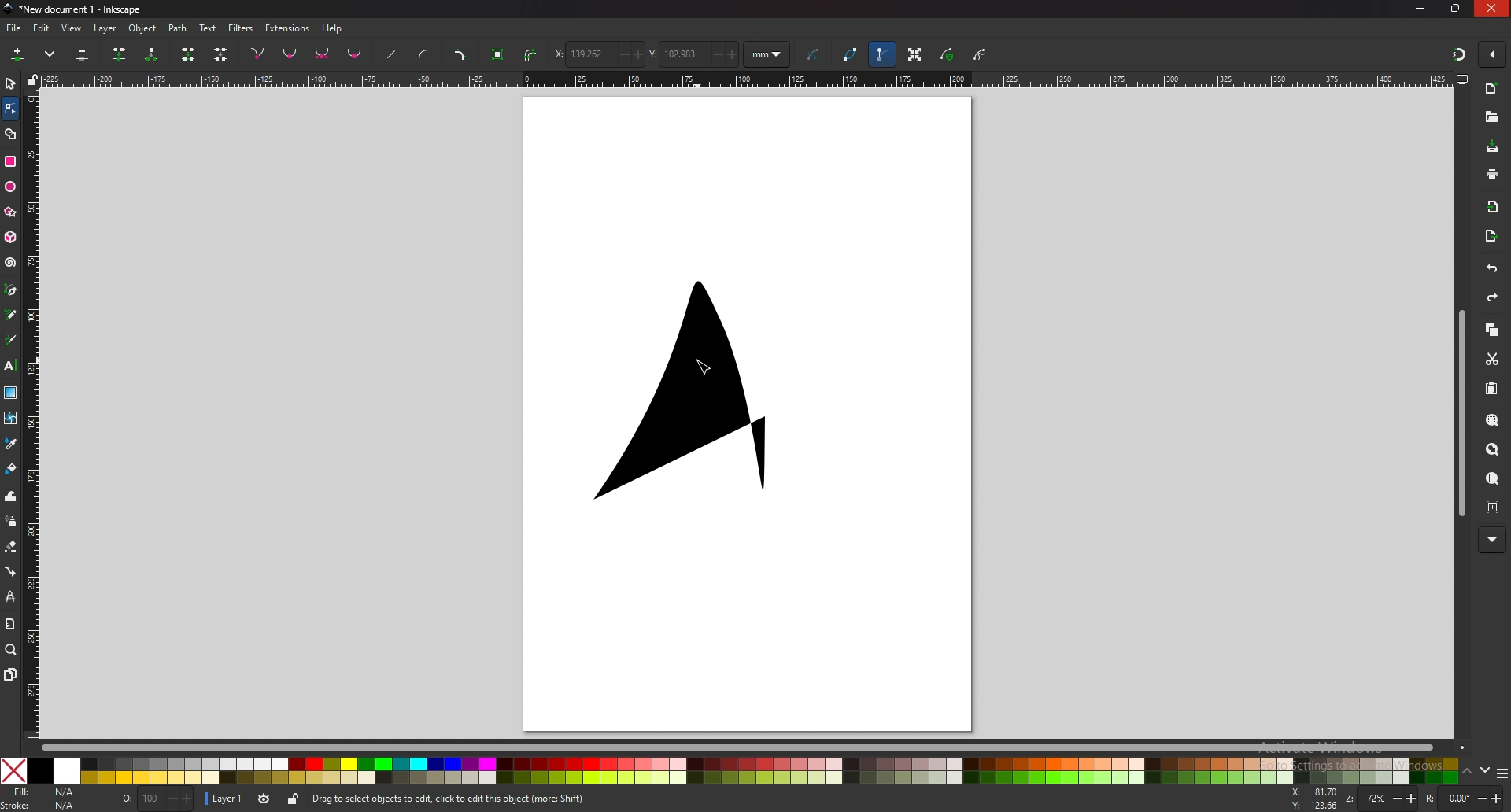 Image resolution: width=1511 pixels, height=812 pixels. What do you see at coordinates (702, 366) in the screenshot?
I see `cursor` at bounding box center [702, 366].